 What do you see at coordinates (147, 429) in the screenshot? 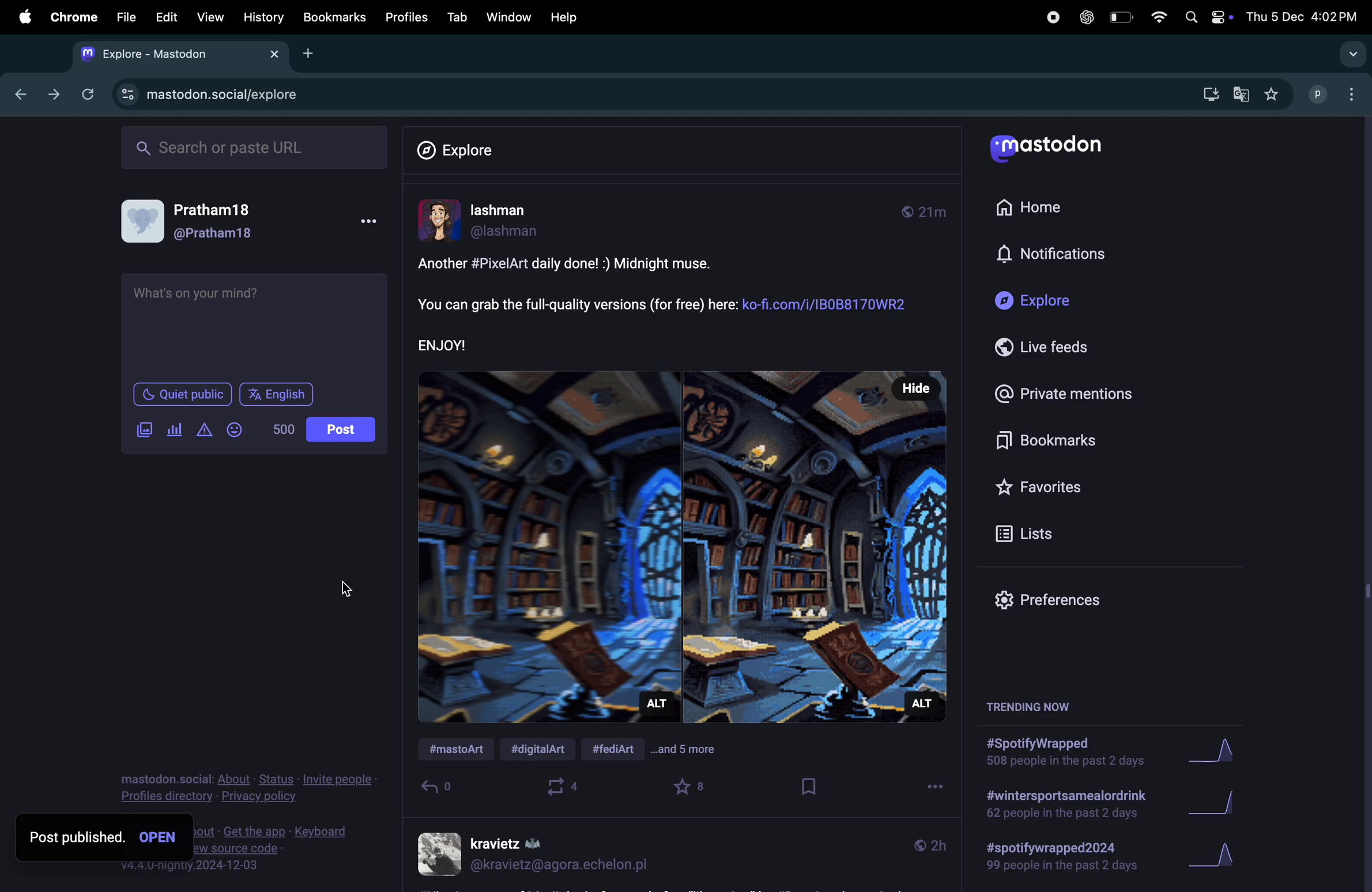
I see `images` at bounding box center [147, 429].